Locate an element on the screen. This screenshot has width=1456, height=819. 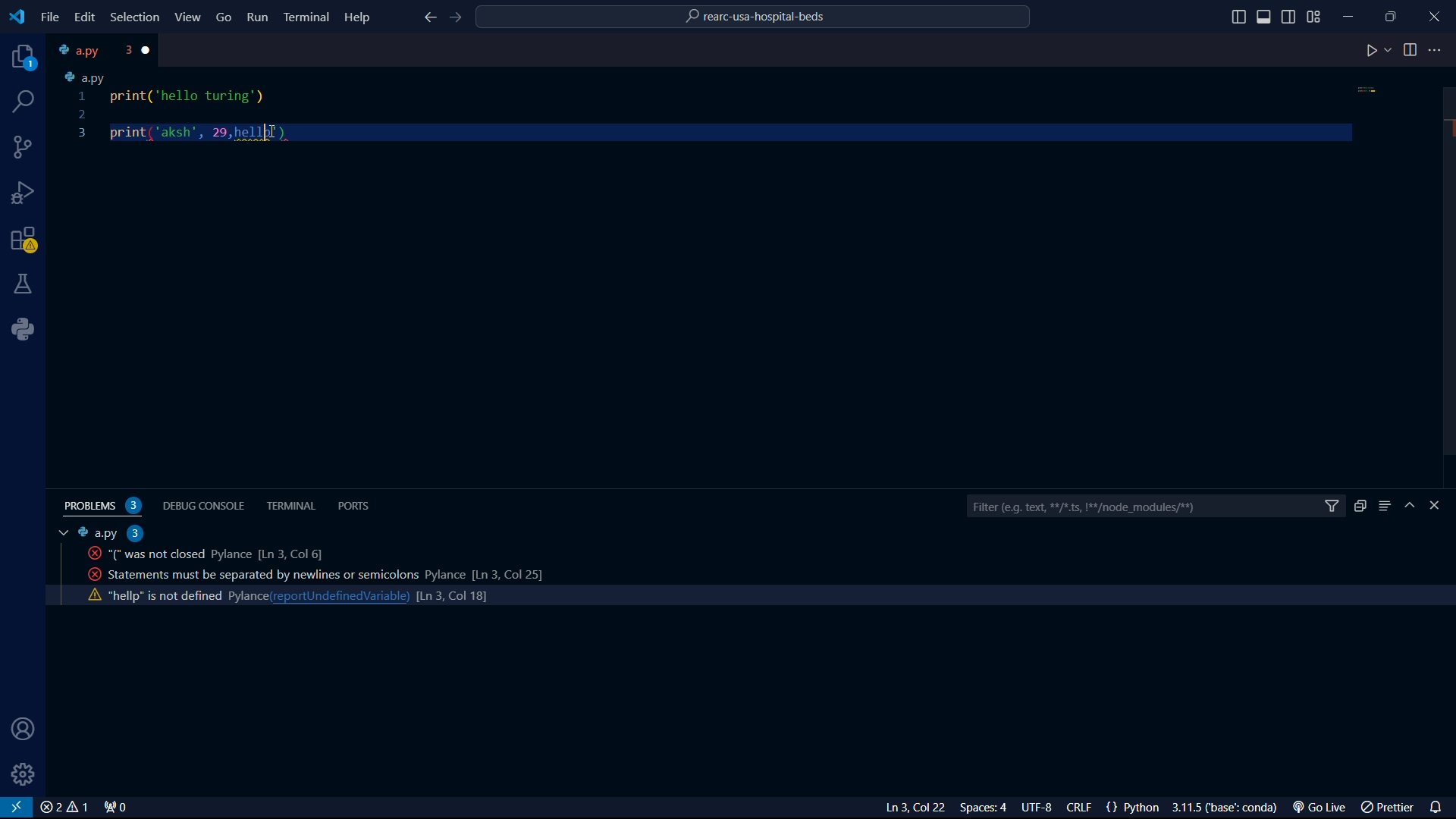
activity code is located at coordinates (166, 594).